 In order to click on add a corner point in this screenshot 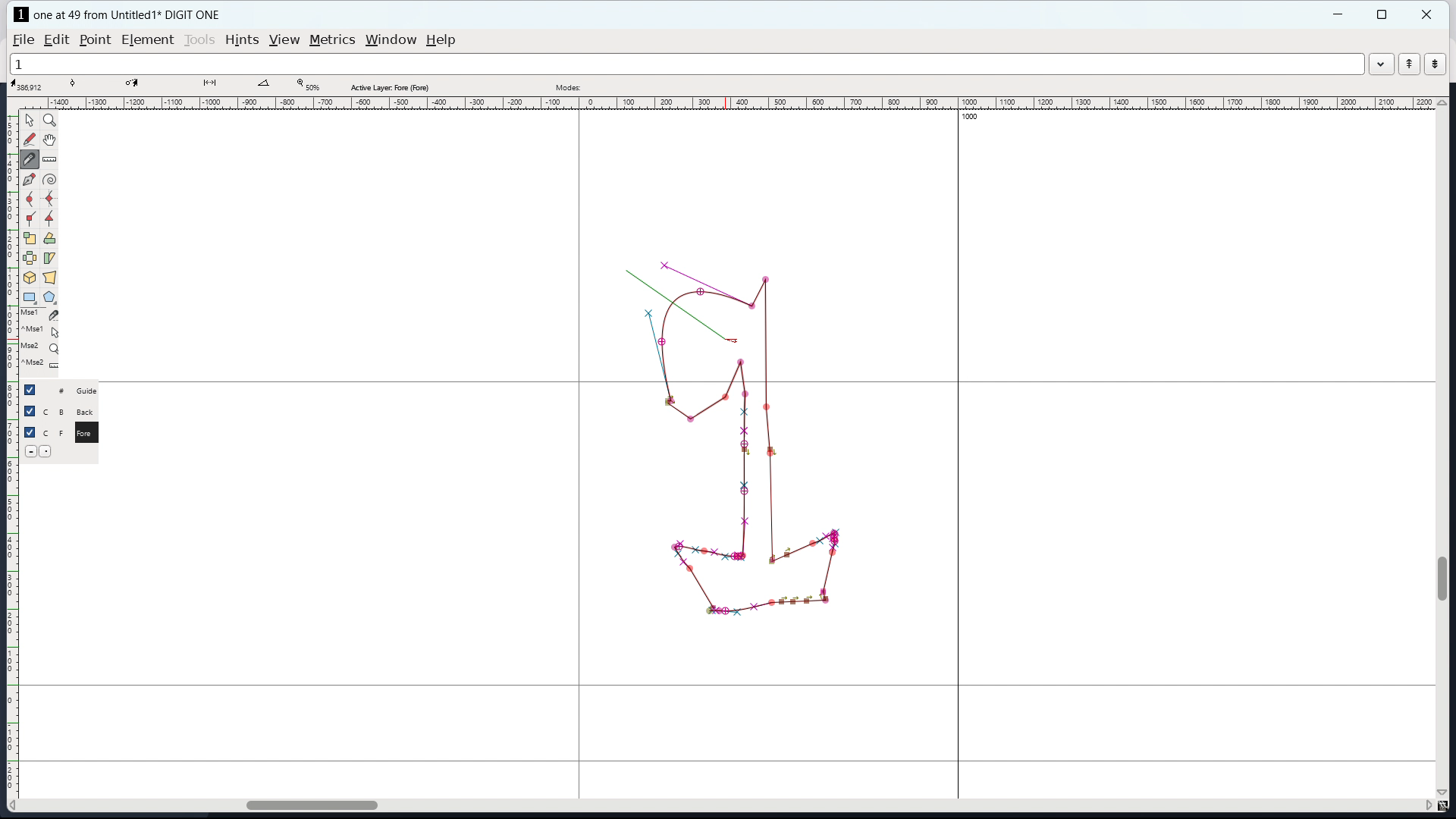, I will do `click(30, 218)`.